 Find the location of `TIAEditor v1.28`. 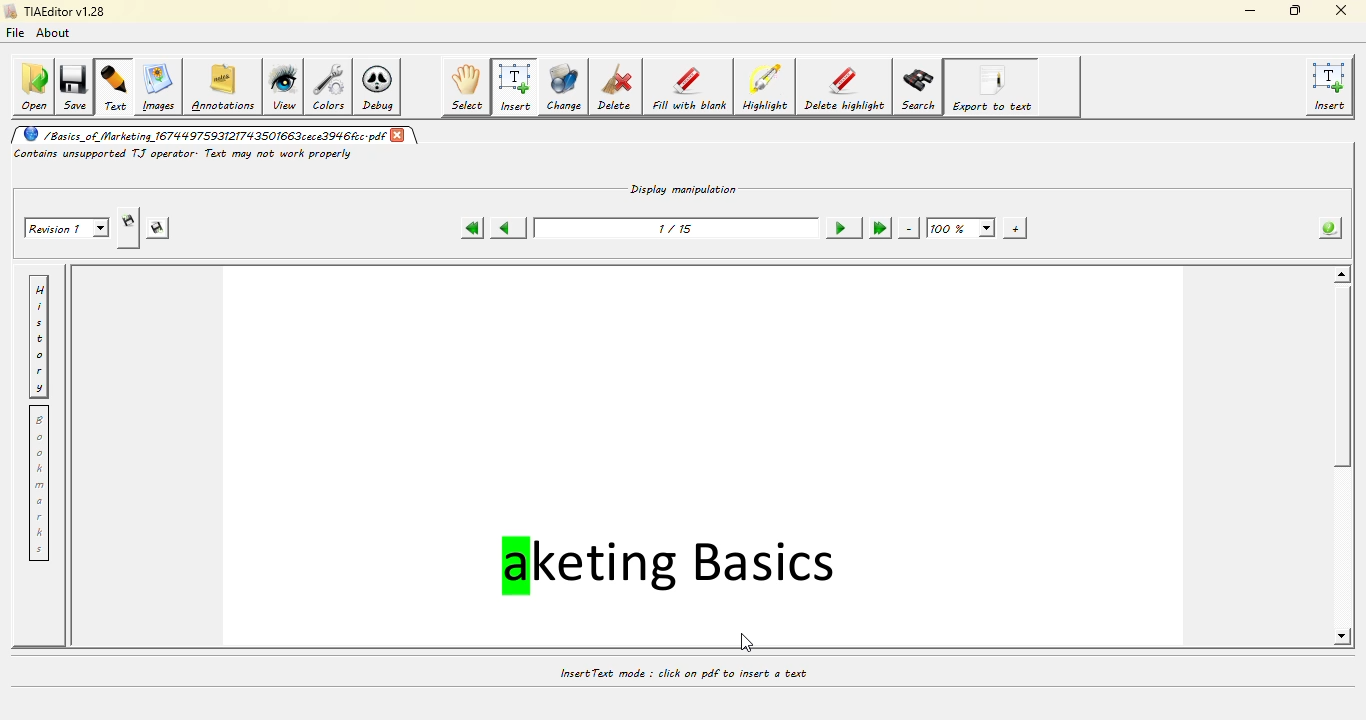

TIAEditor v1.28 is located at coordinates (56, 12).